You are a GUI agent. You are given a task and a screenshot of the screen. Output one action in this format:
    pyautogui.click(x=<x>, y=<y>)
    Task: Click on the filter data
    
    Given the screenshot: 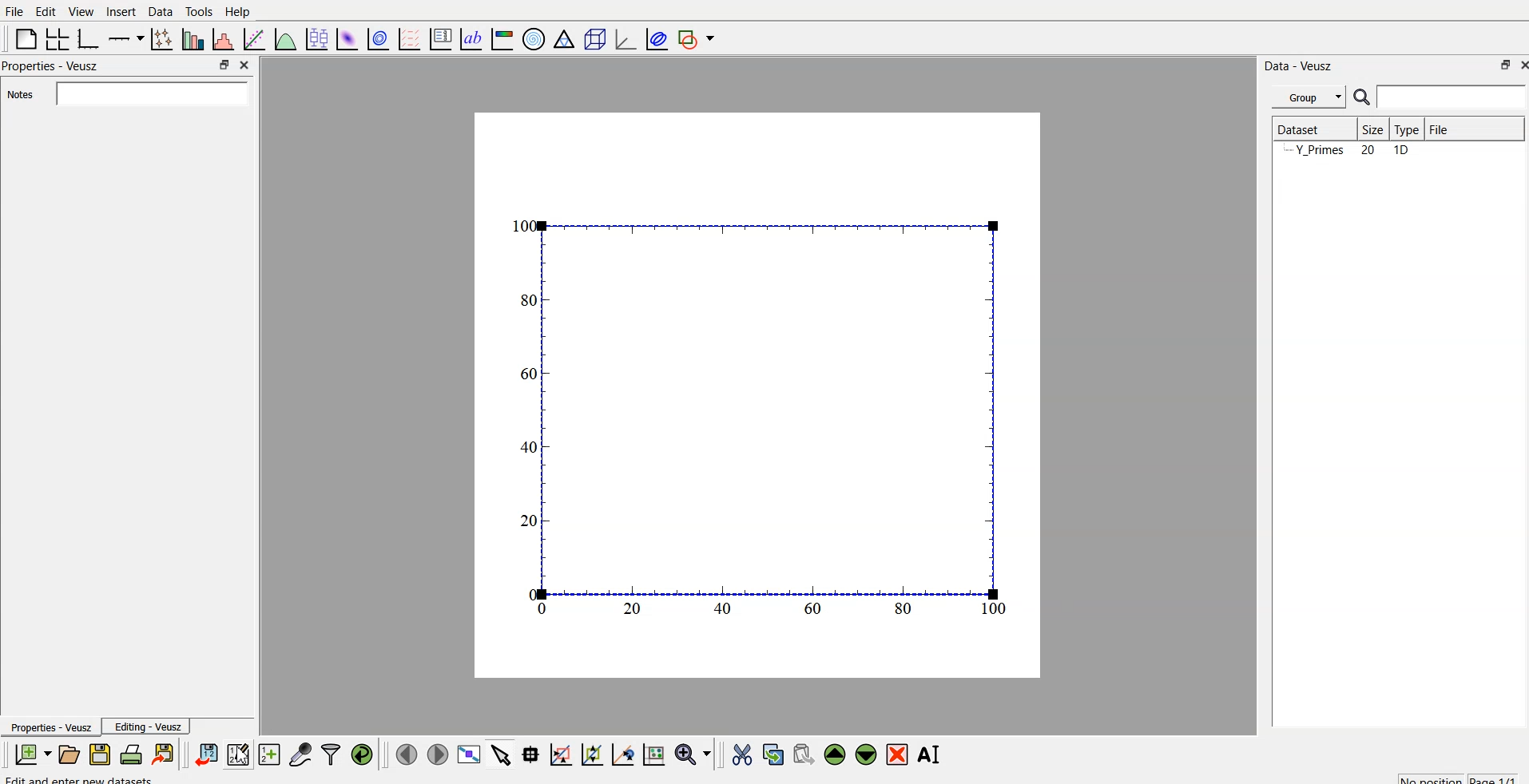 What is the action you would take?
    pyautogui.click(x=331, y=752)
    